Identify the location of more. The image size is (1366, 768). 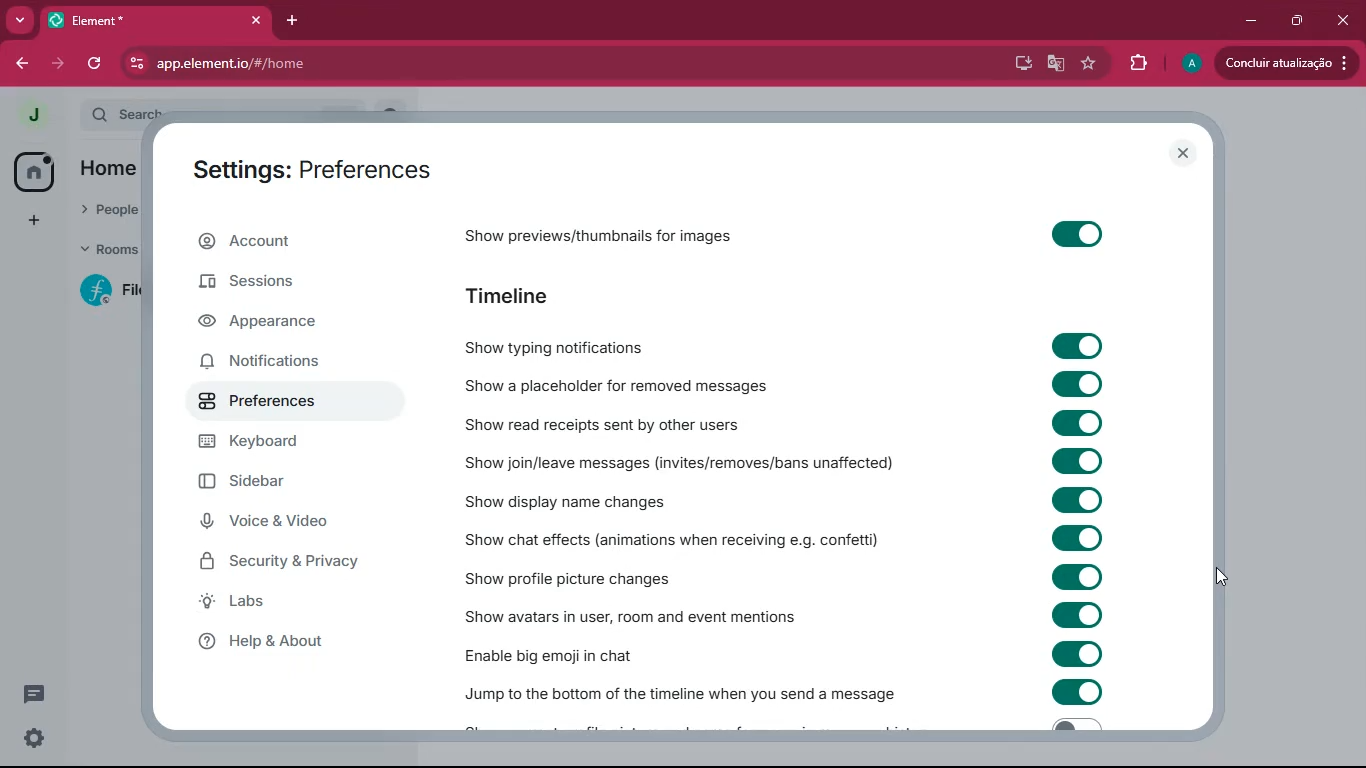
(18, 20).